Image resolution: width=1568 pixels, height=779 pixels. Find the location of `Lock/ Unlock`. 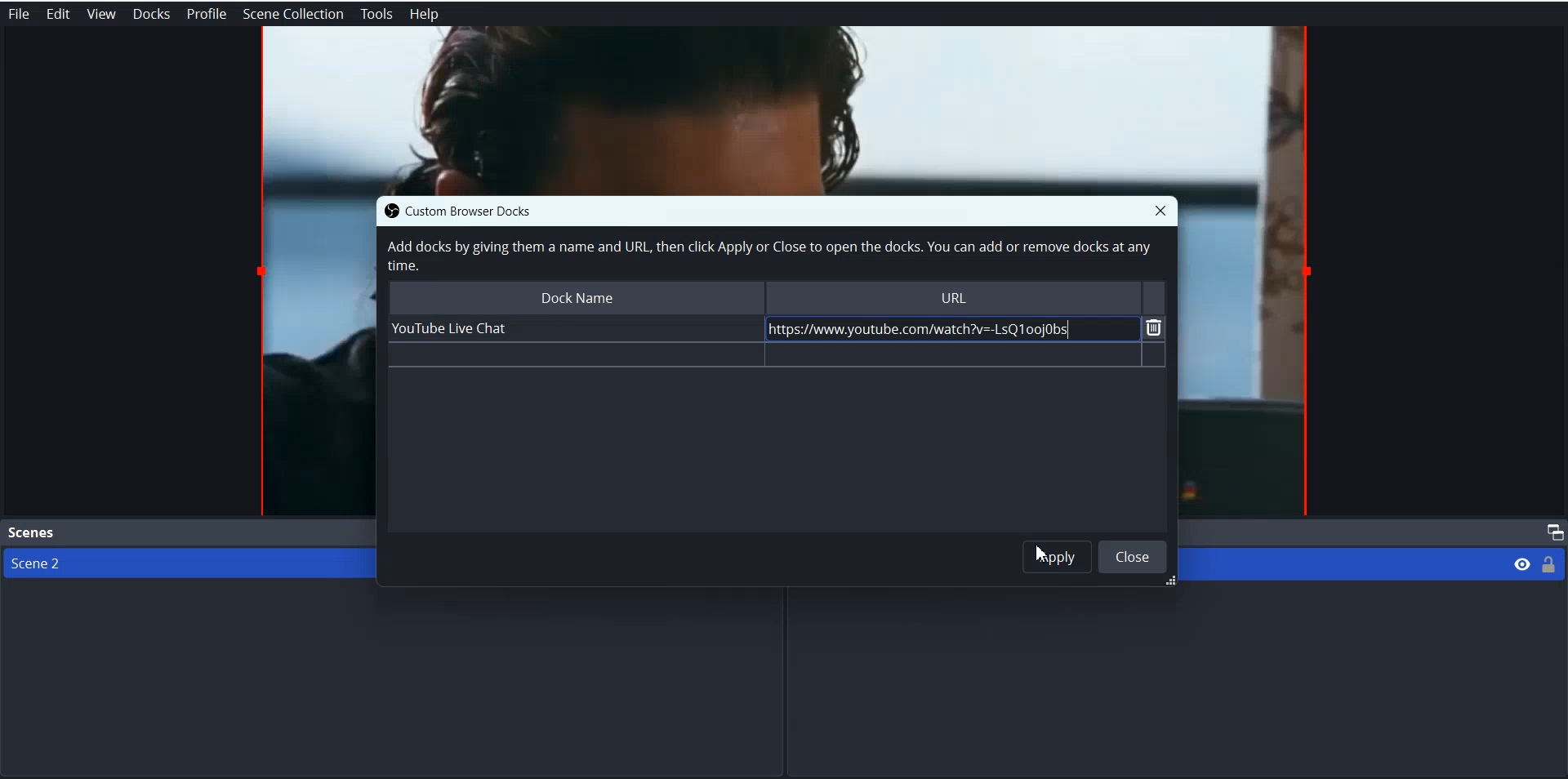

Lock/ Unlock is located at coordinates (1549, 563).